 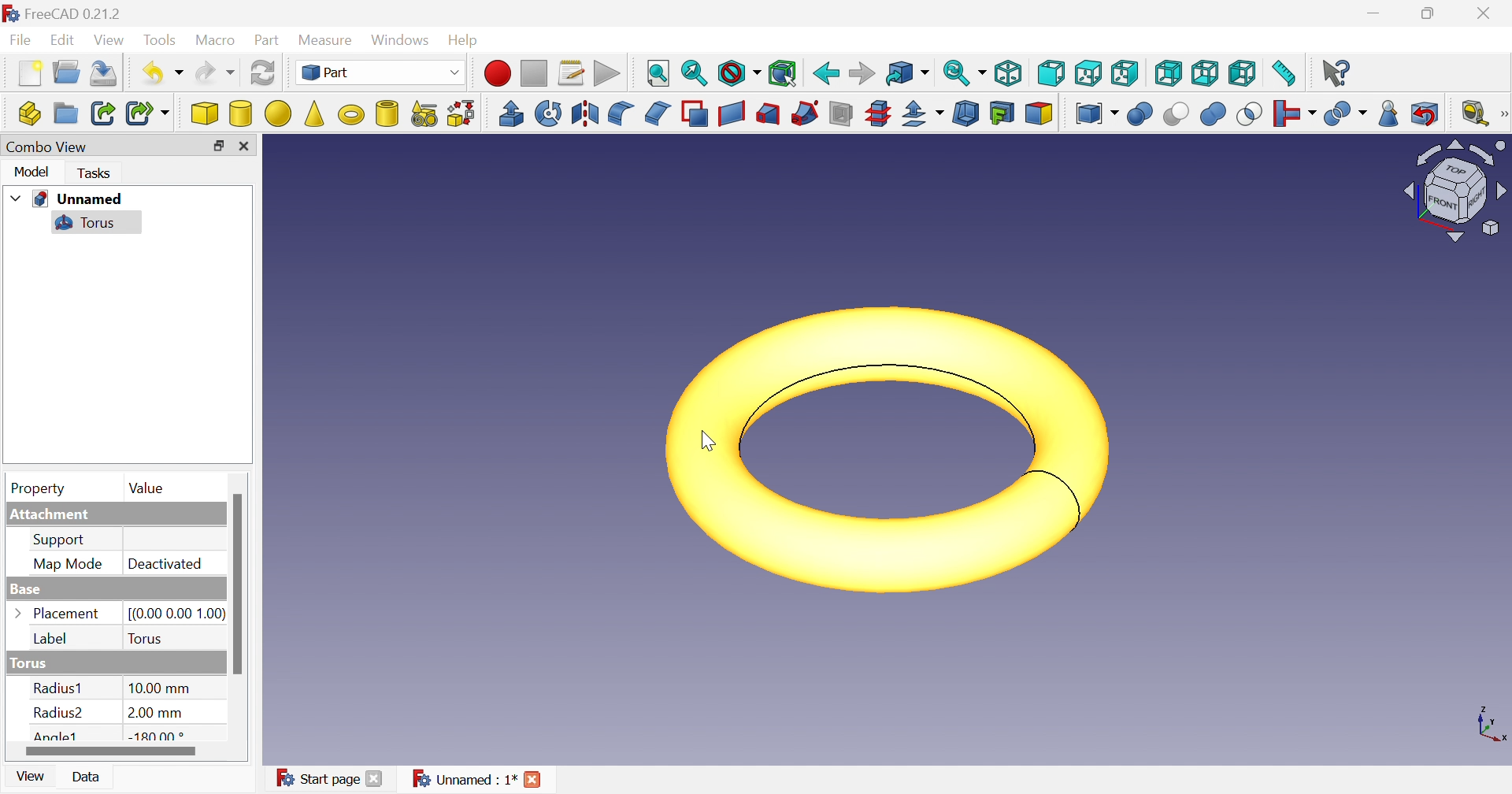 I want to click on Refresh, so click(x=263, y=72).